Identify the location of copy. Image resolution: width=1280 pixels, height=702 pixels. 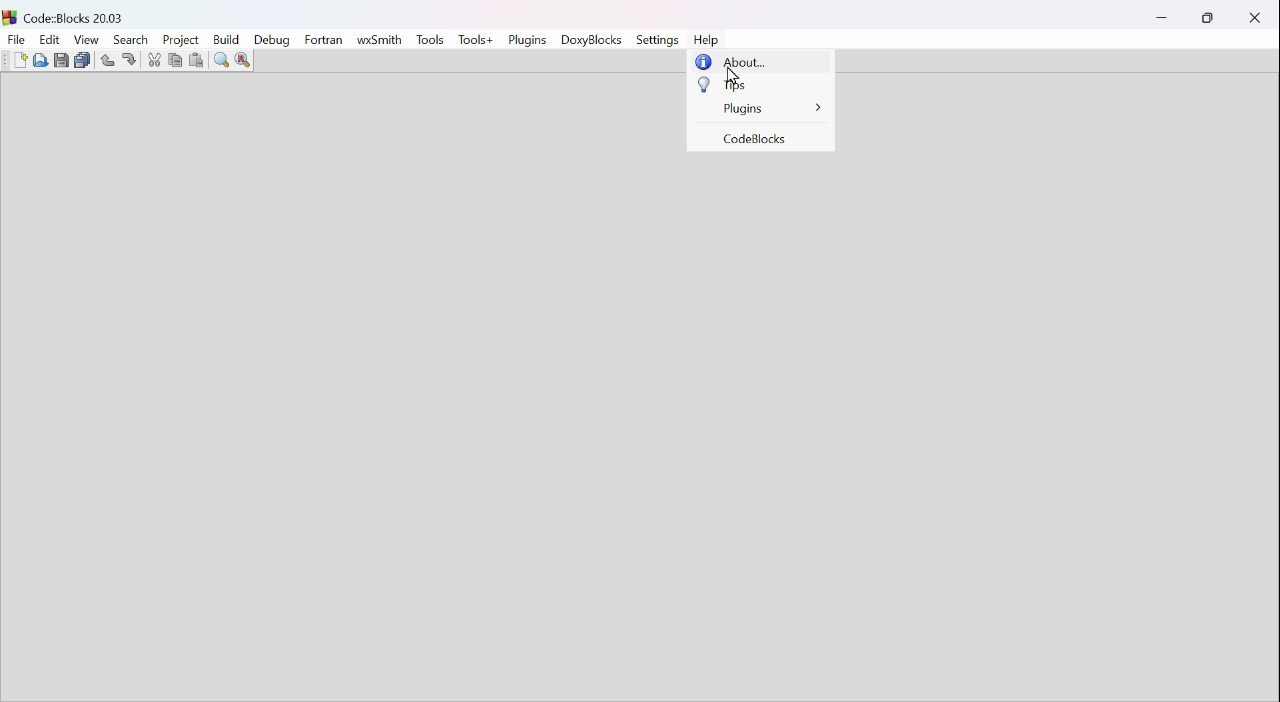
(173, 59).